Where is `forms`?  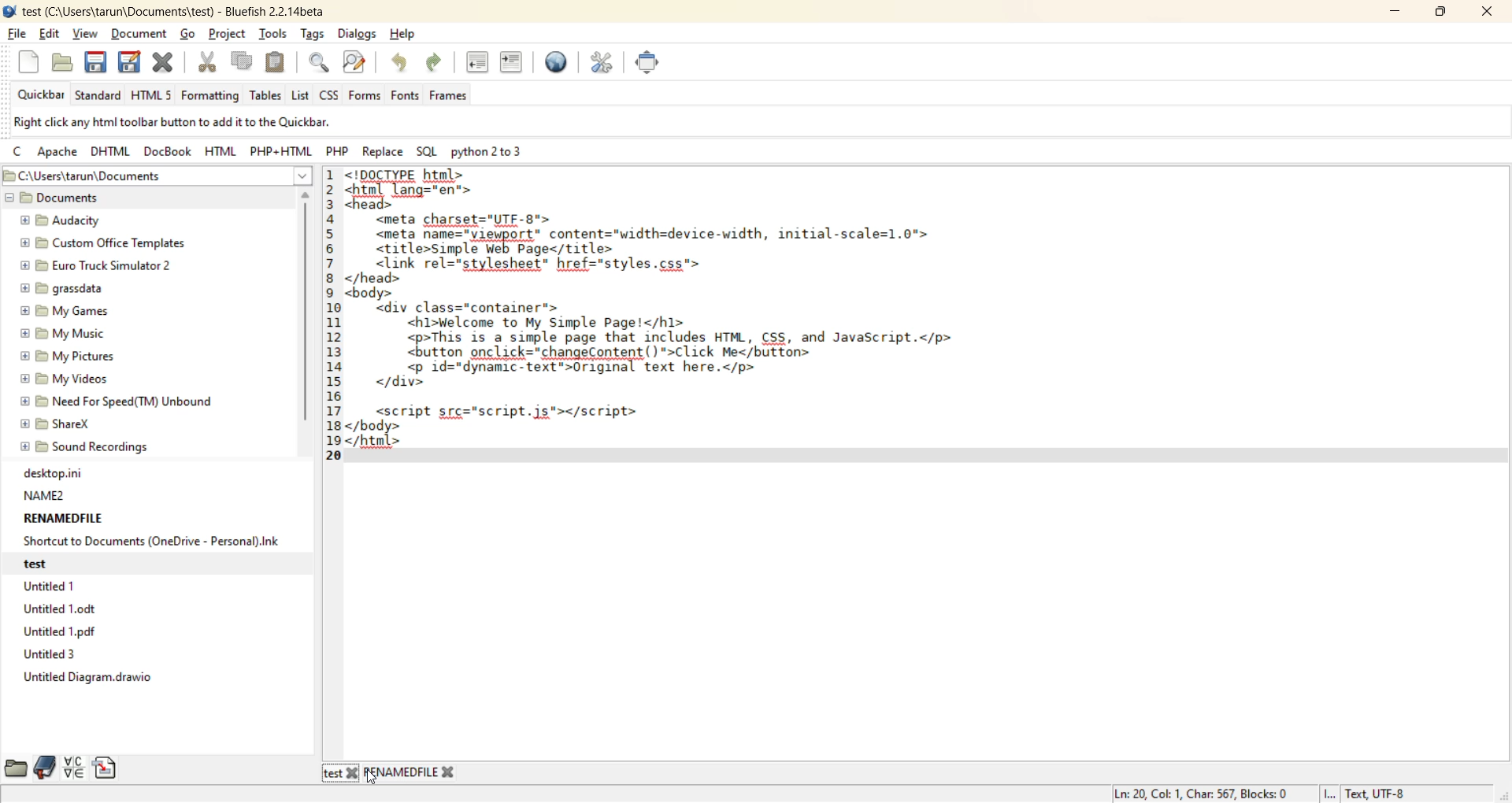
forms is located at coordinates (366, 96).